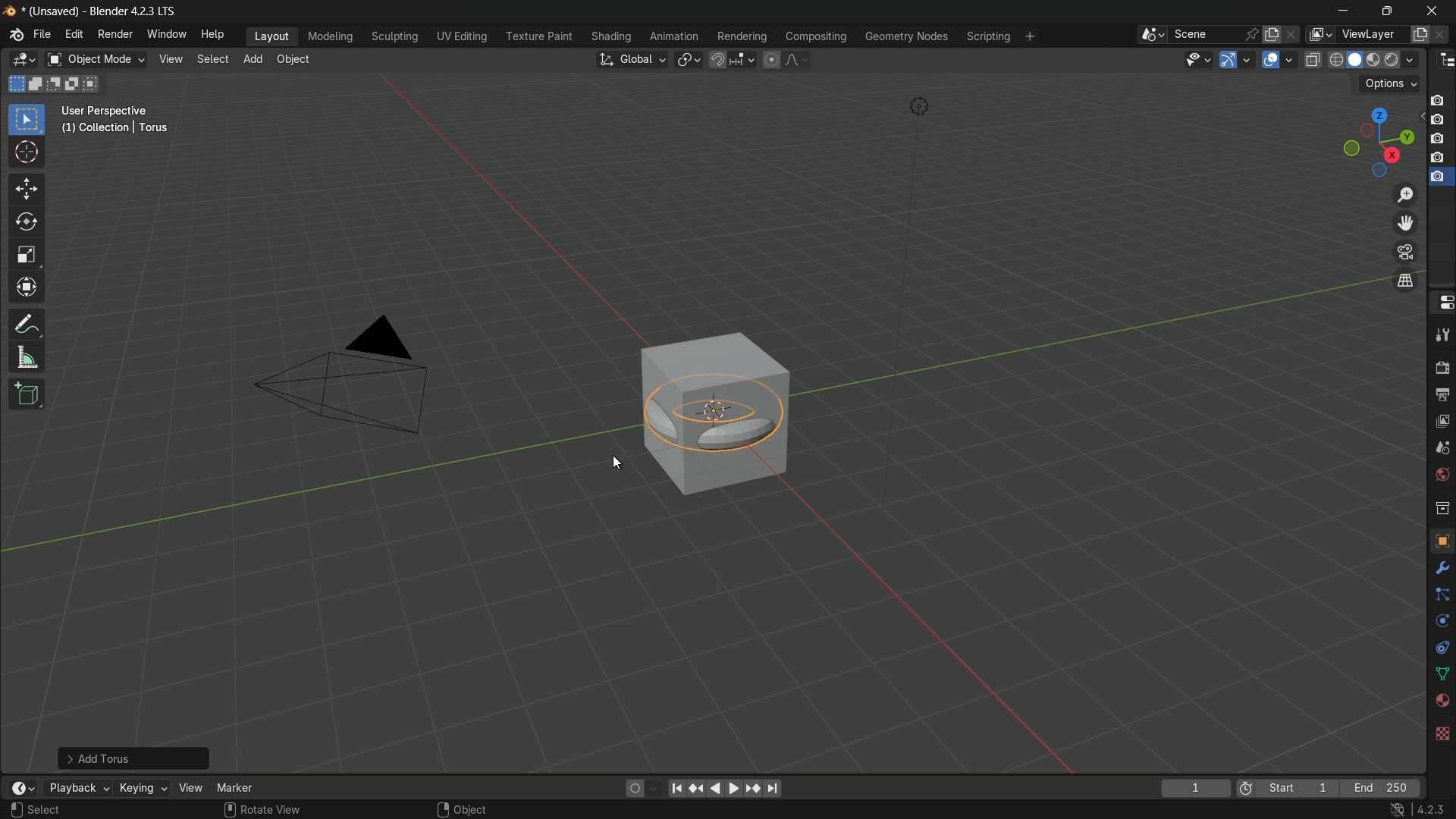 Image resolution: width=1456 pixels, height=819 pixels. Describe the element at coordinates (538, 36) in the screenshot. I see `texture paint` at that location.